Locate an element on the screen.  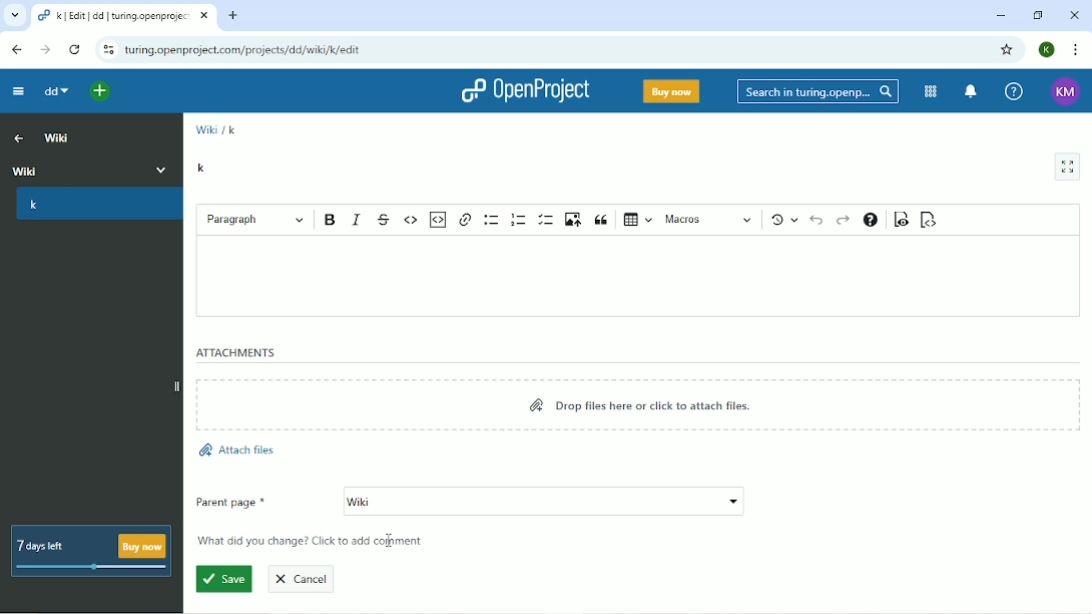
k is located at coordinates (203, 167).